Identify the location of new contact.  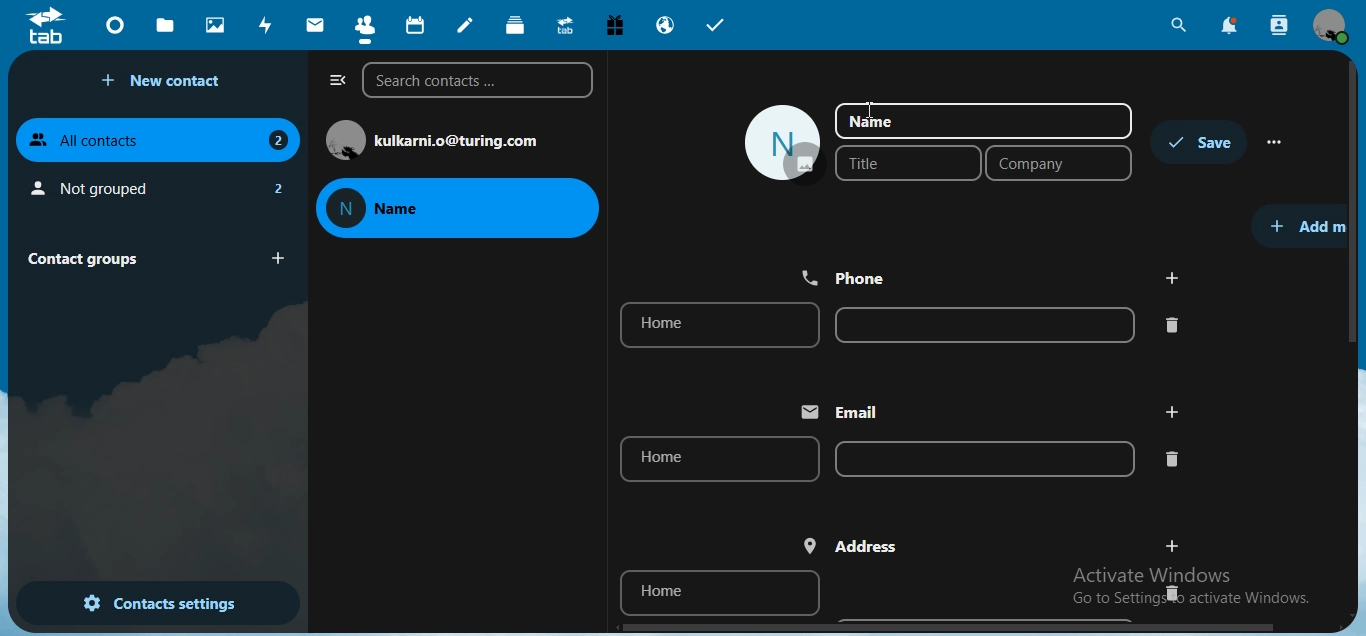
(165, 81).